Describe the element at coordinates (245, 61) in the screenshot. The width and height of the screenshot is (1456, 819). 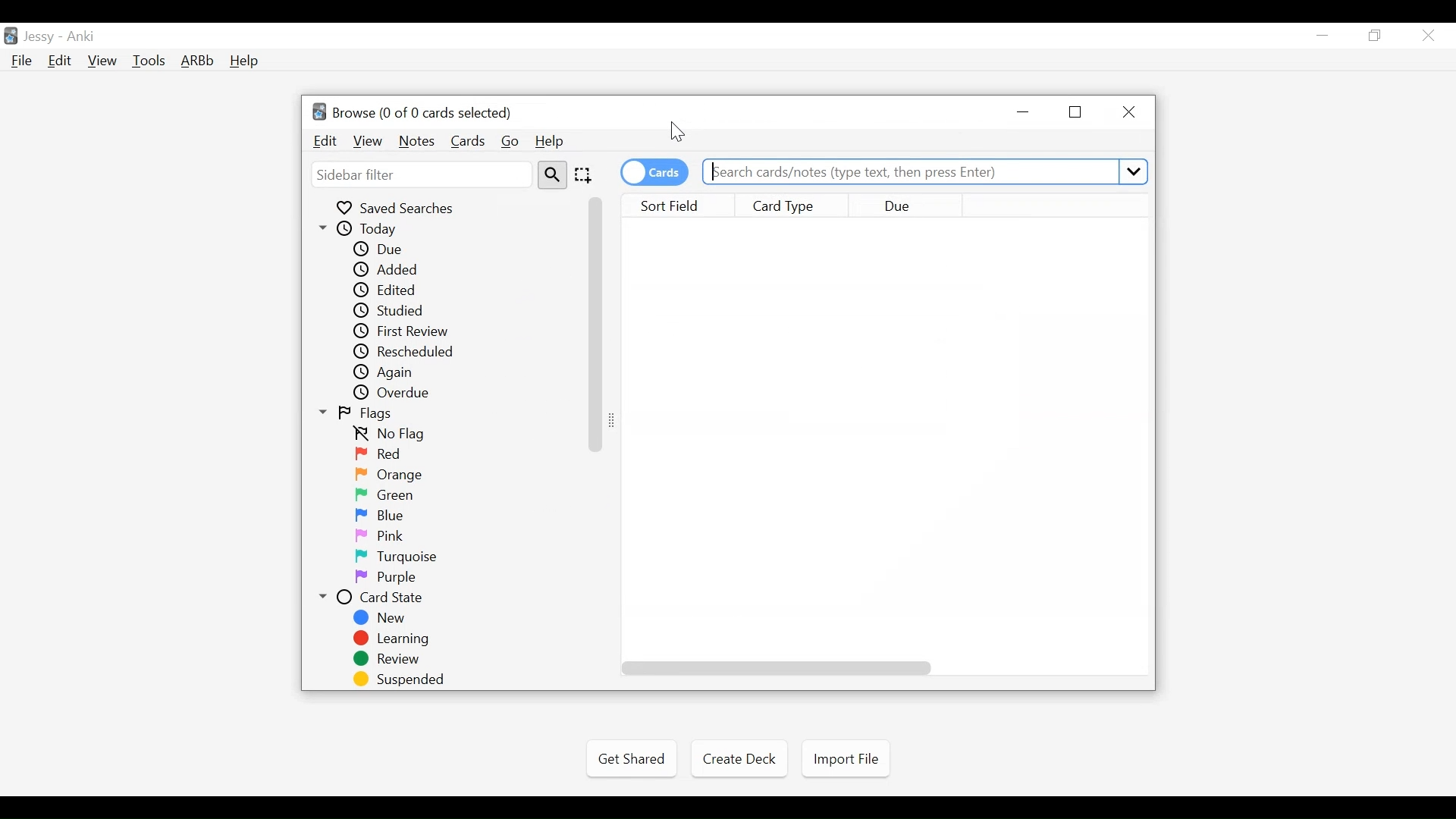
I see `Help` at that location.